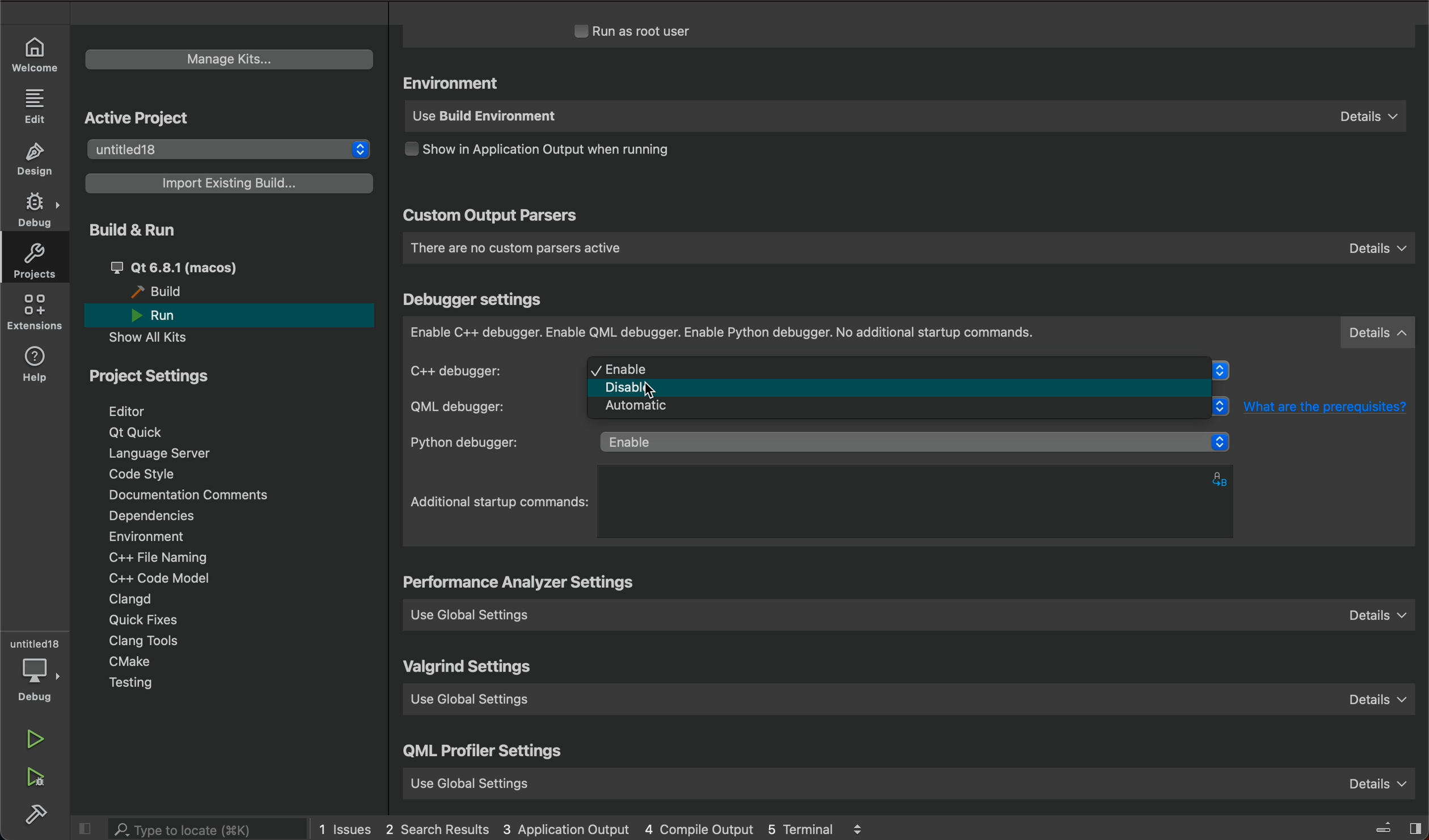 The height and width of the screenshot is (840, 1429). What do you see at coordinates (40, 680) in the screenshot?
I see `debug` at bounding box center [40, 680].